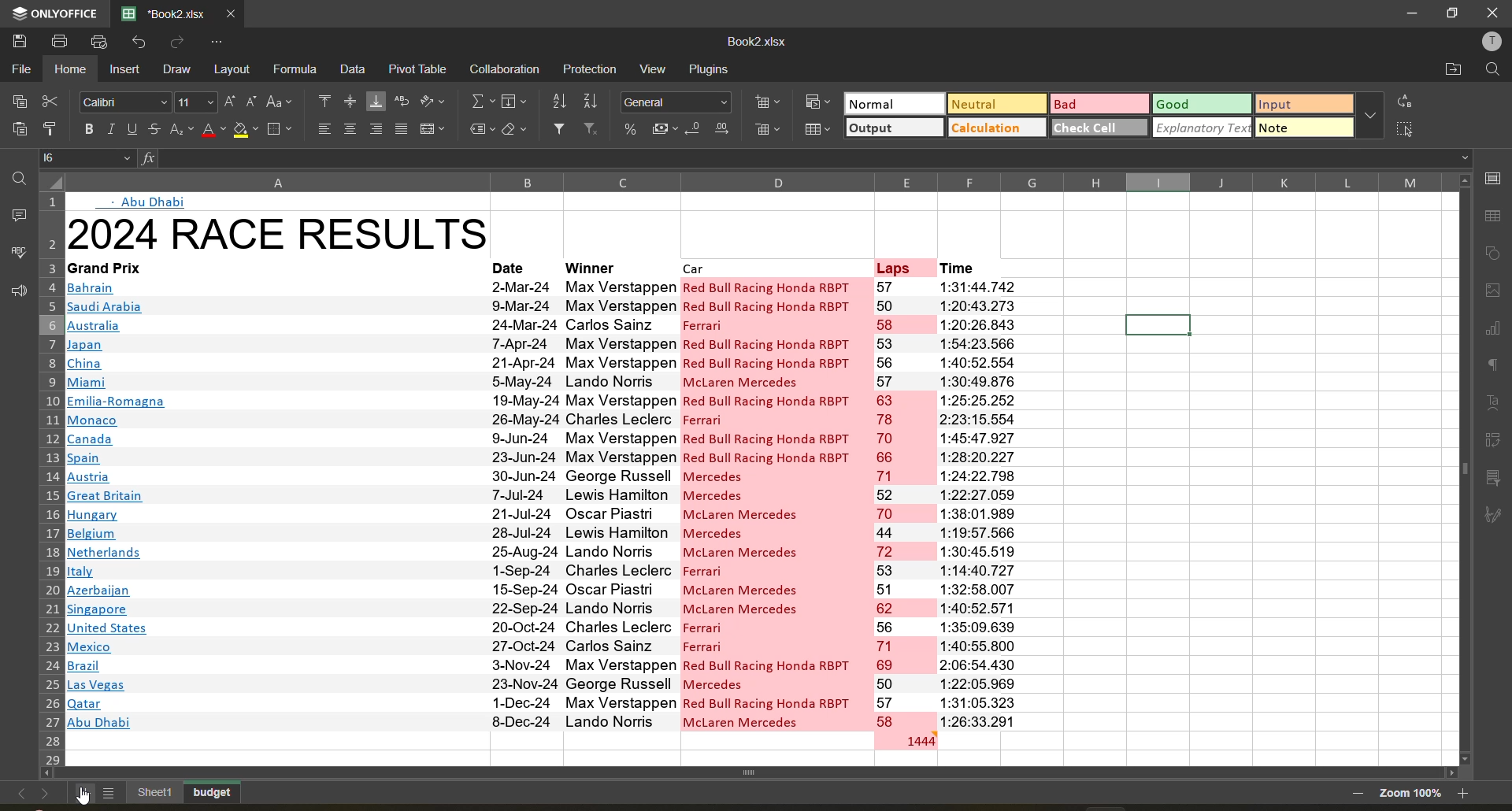  Describe the element at coordinates (87, 798) in the screenshot. I see `cursor` at that location.